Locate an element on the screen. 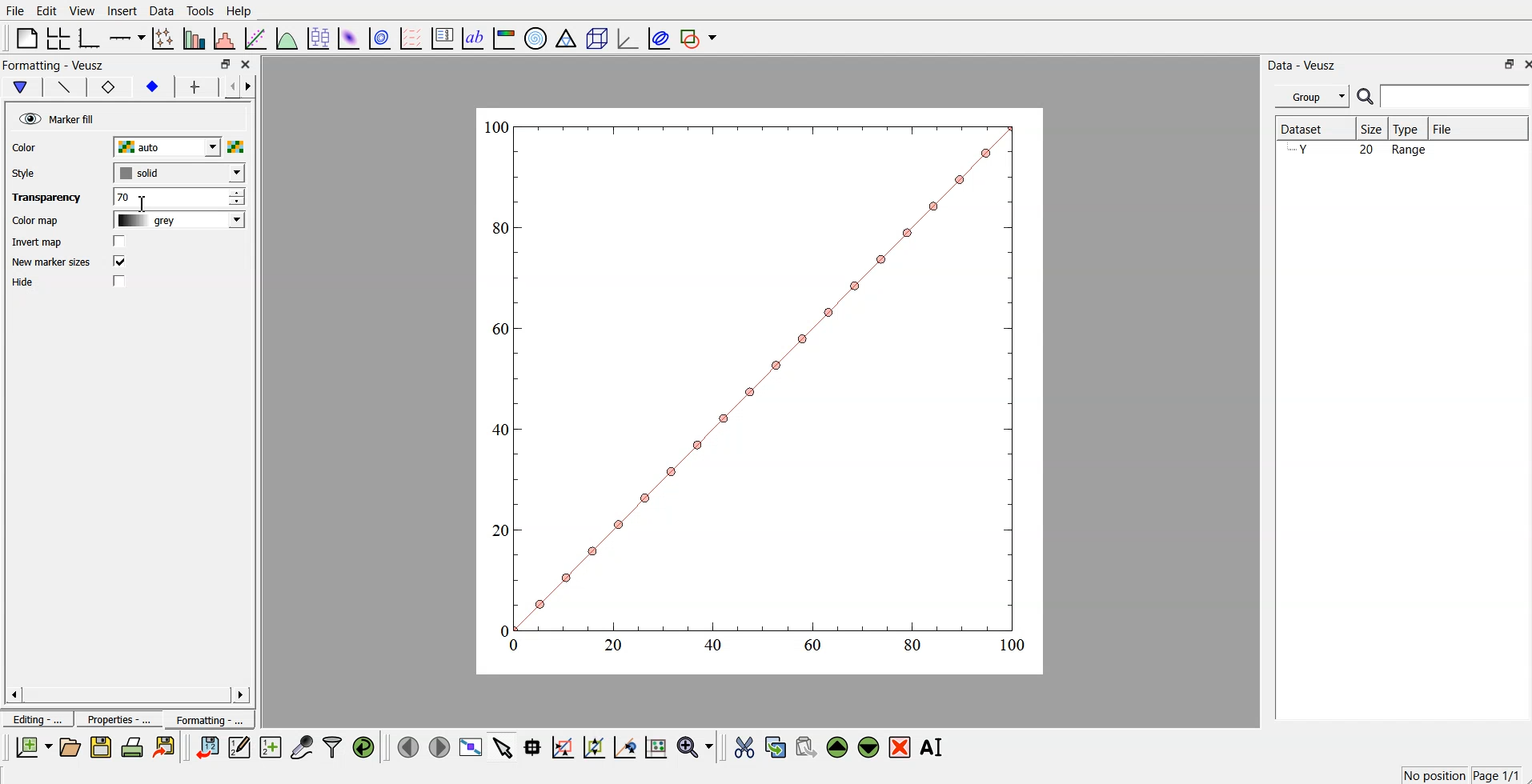 This screenshot has width=1532, height=784. No position page 1/1 is located at coordinates (1460, 774).